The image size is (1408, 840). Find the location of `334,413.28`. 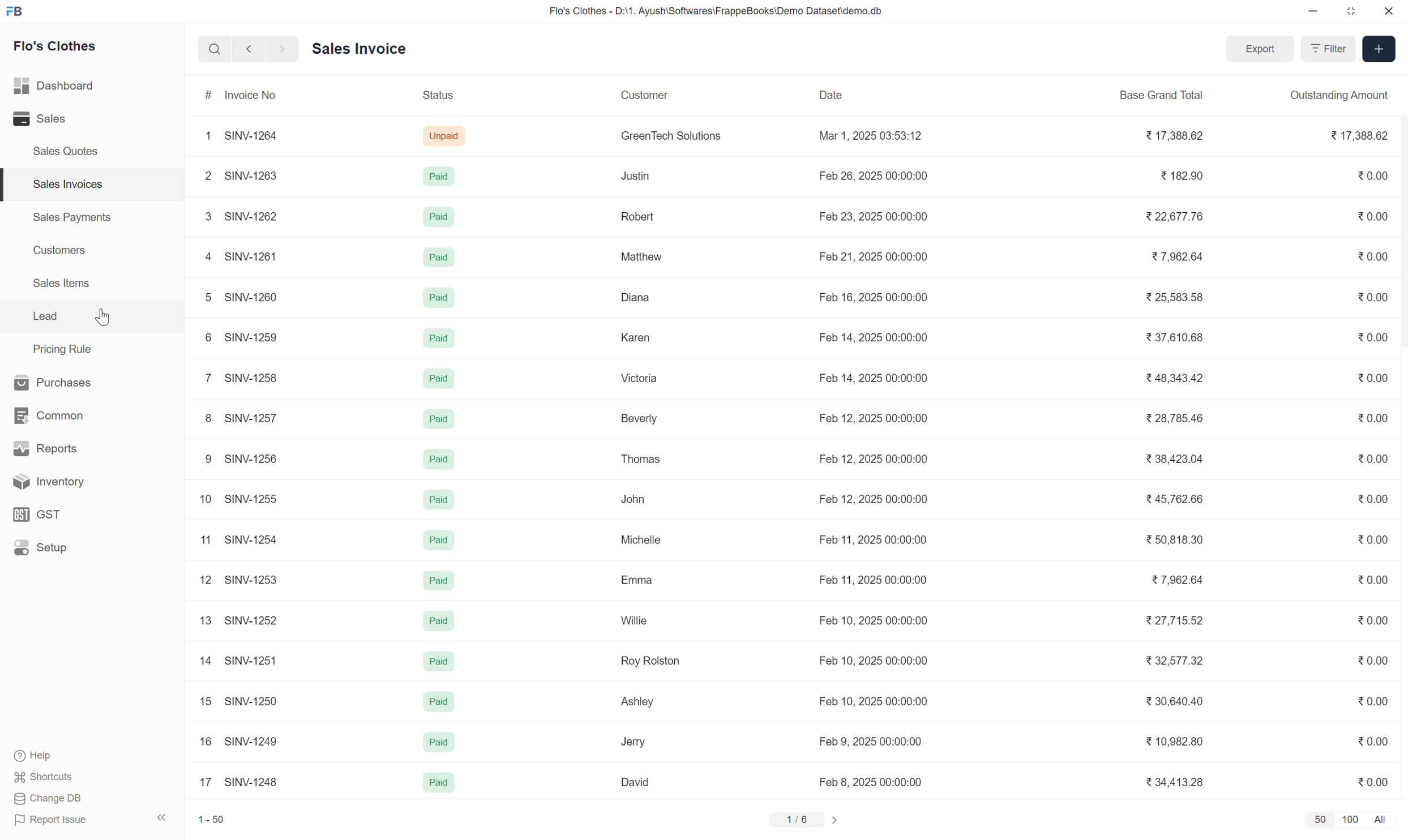

334,413.28 is located at coordinates (1176, 783).